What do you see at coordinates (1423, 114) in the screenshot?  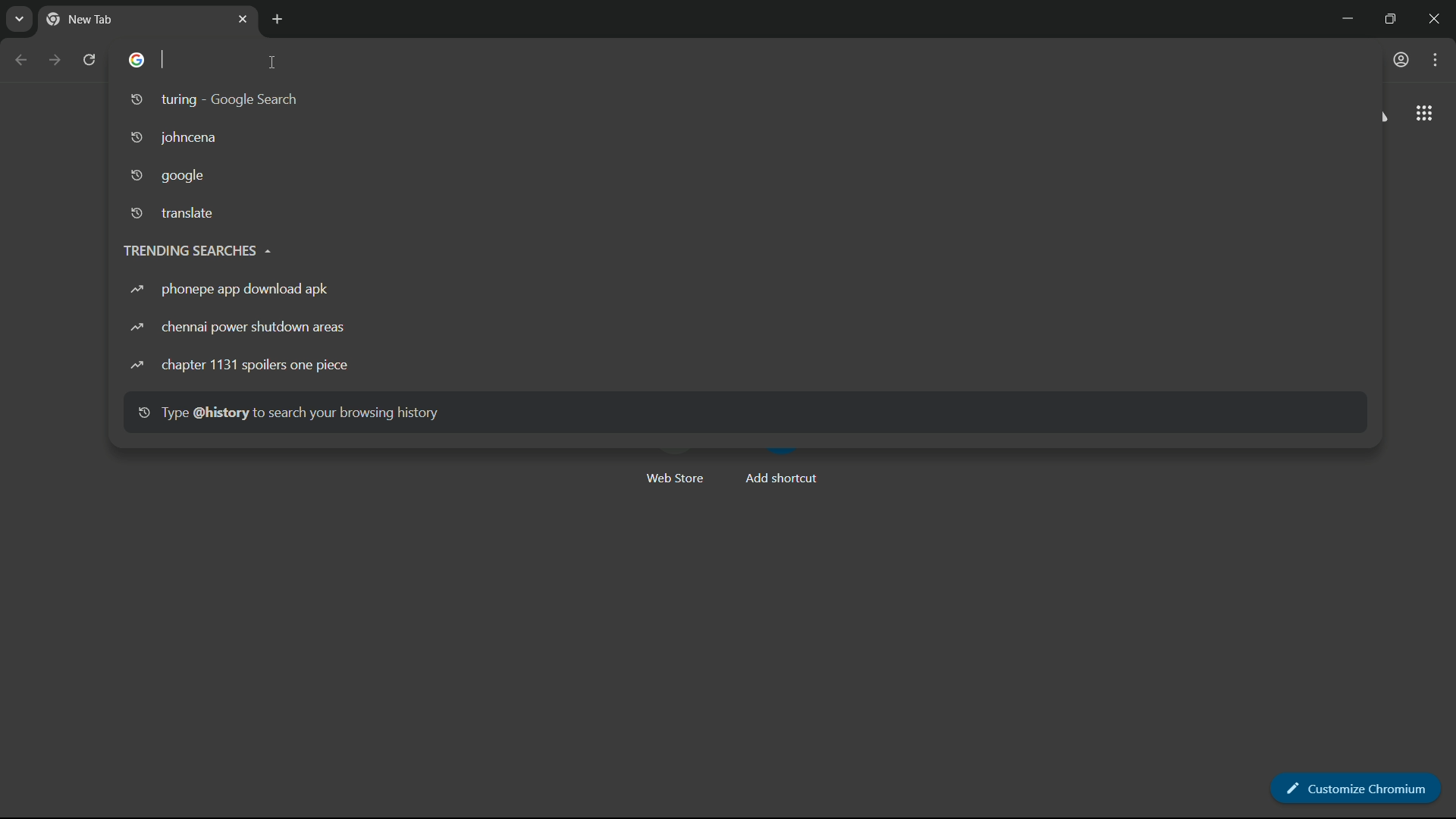 I see `more apps` at bounding box center [1423, 114].